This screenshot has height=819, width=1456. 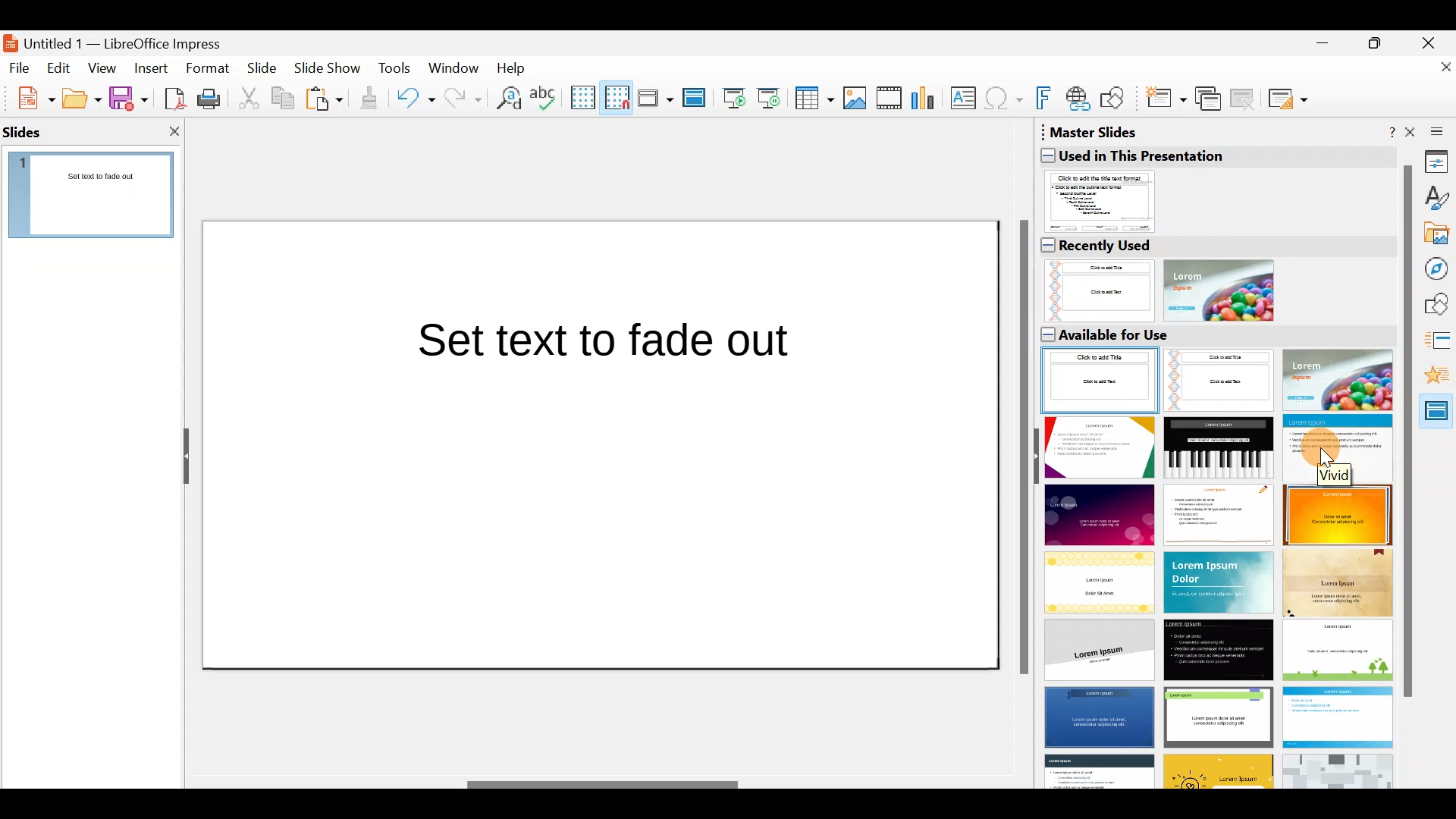 I want to click on Table, so click(x=815, y=99).